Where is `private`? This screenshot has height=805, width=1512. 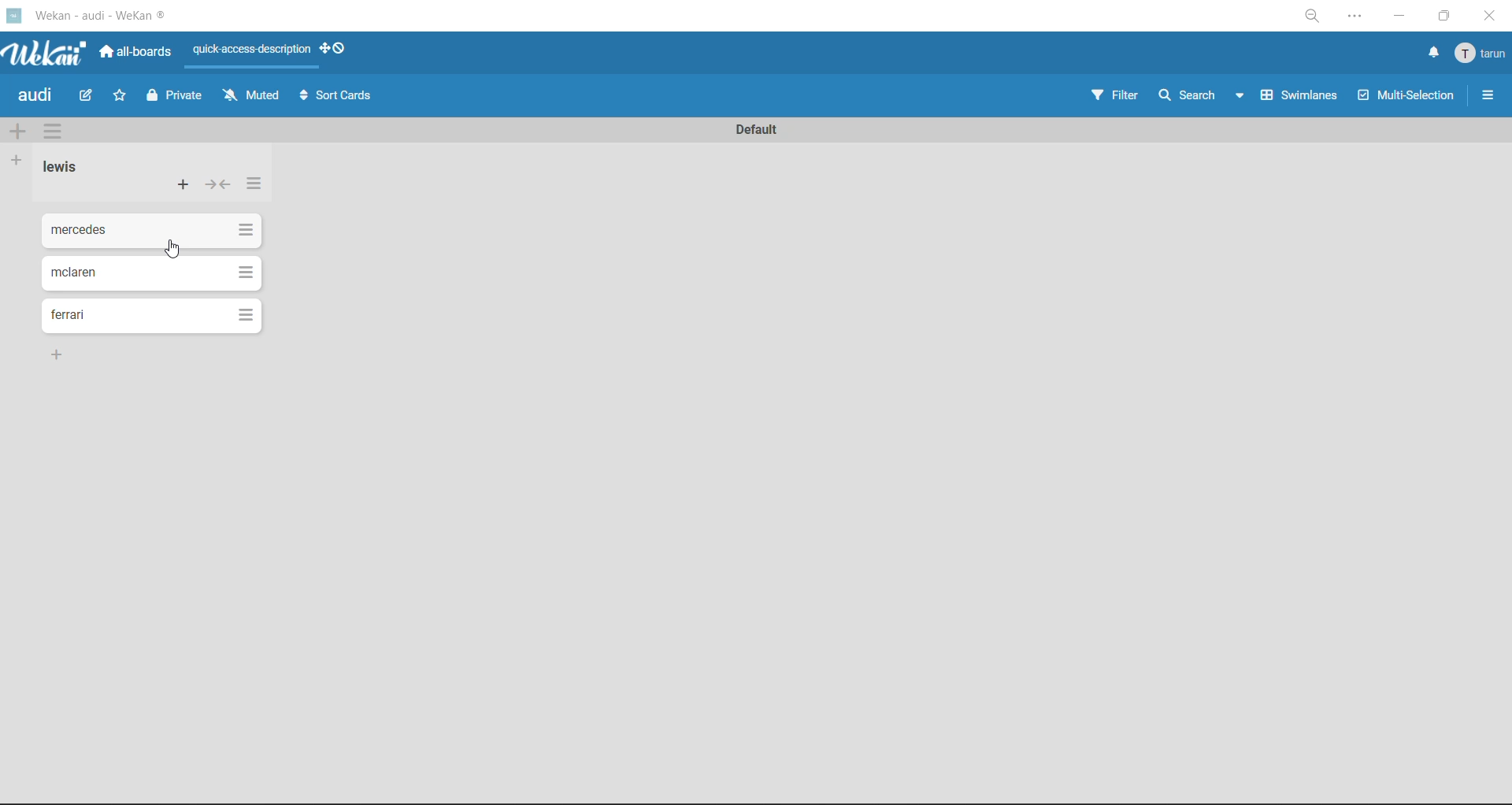 private is located at coordinates (176, 98).